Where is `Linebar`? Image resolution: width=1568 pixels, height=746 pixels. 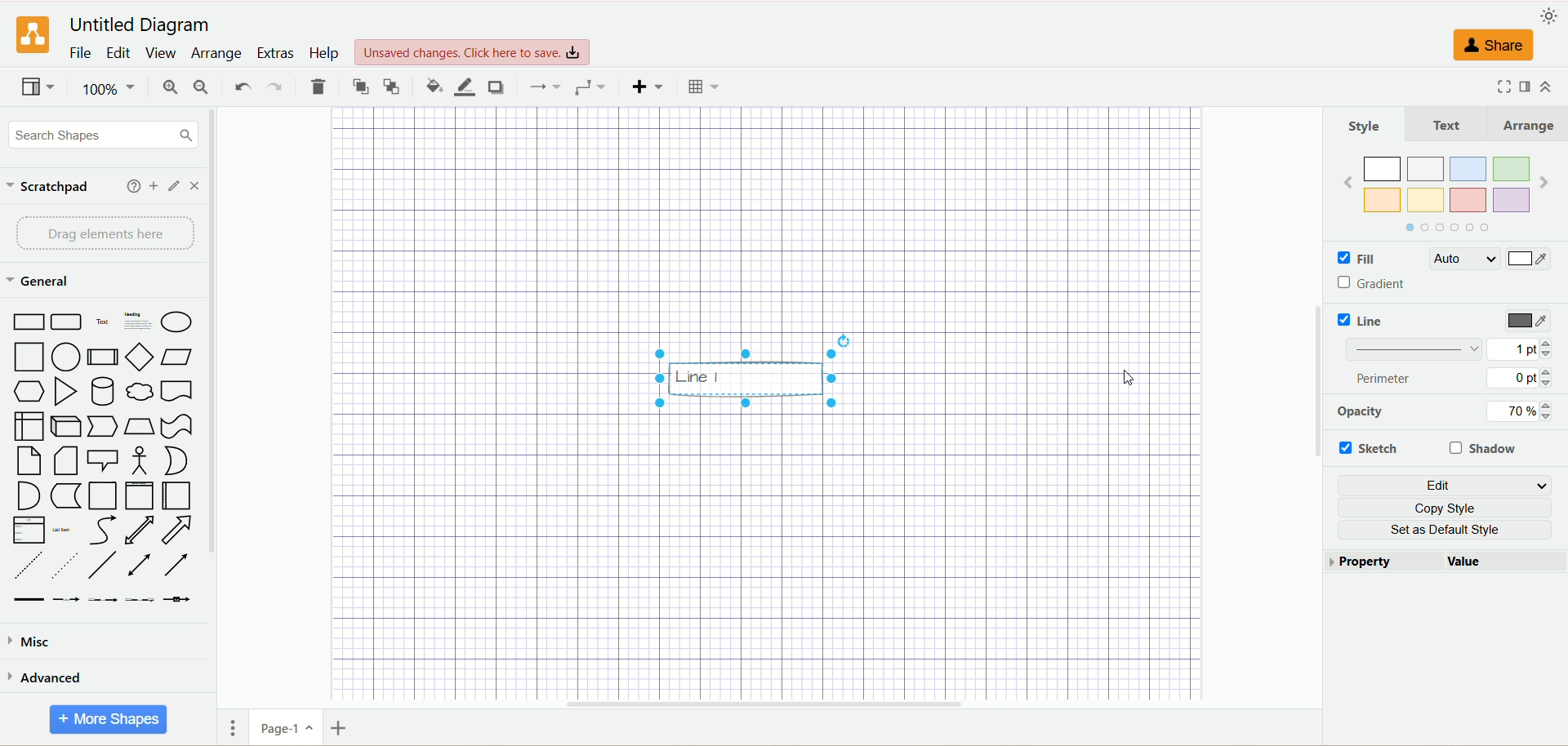 Linebar is located at coordinates (1418, 350).